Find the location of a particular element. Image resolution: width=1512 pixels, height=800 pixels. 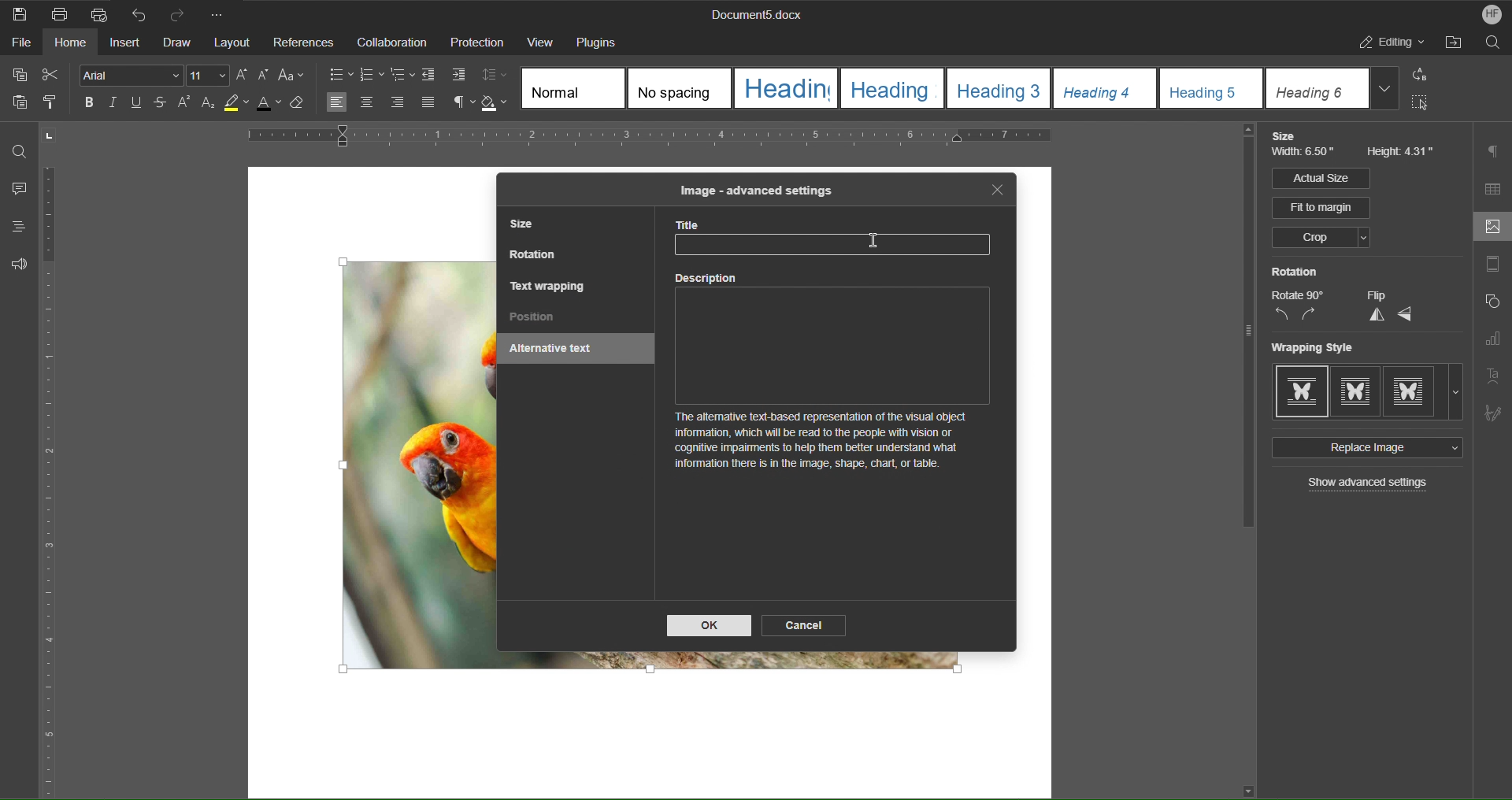

Horizontal Flip is located at coordinates (1406, 315).